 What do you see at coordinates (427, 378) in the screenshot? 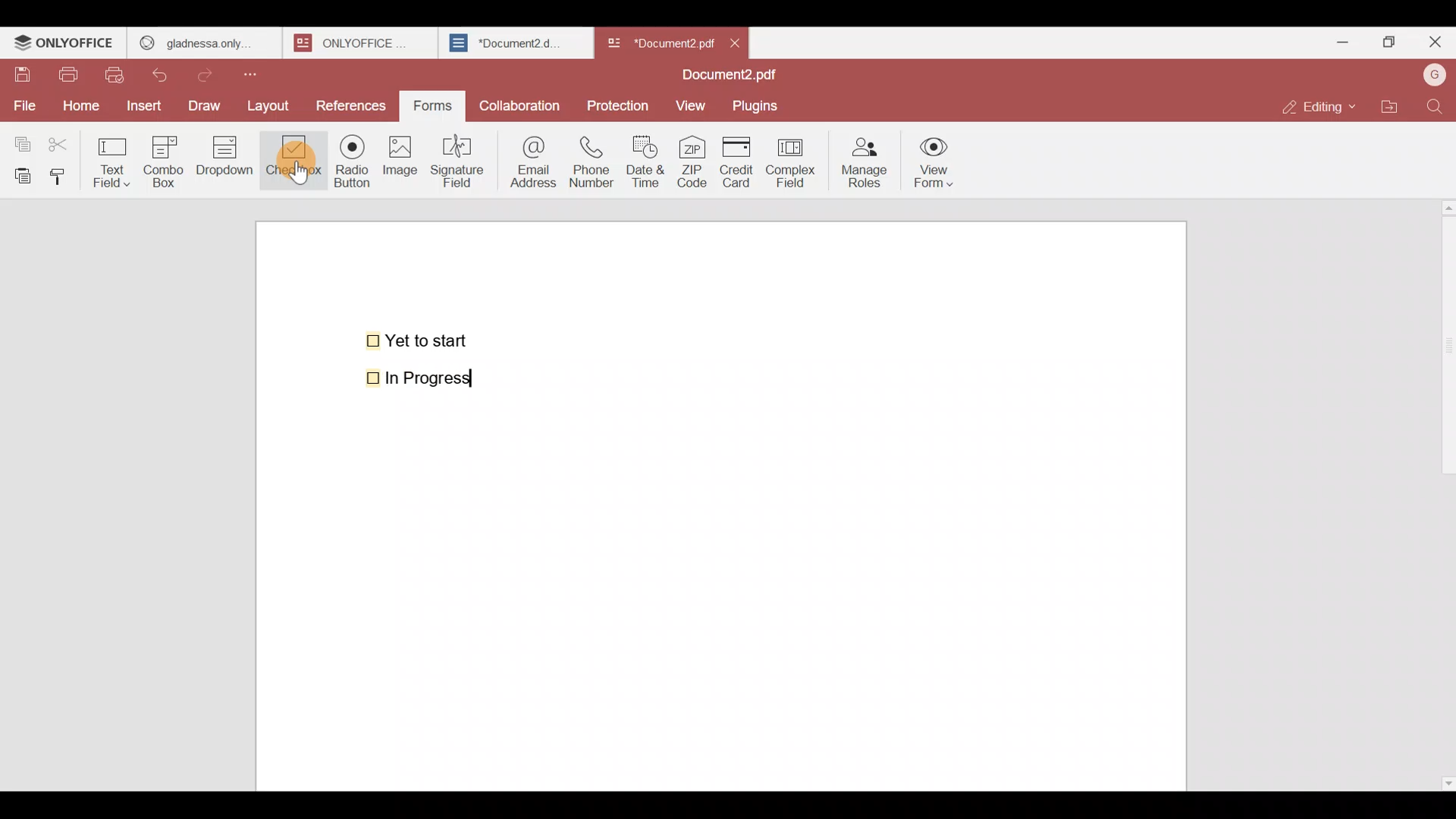
I see `In Progress` at bounding box center [427, 378].